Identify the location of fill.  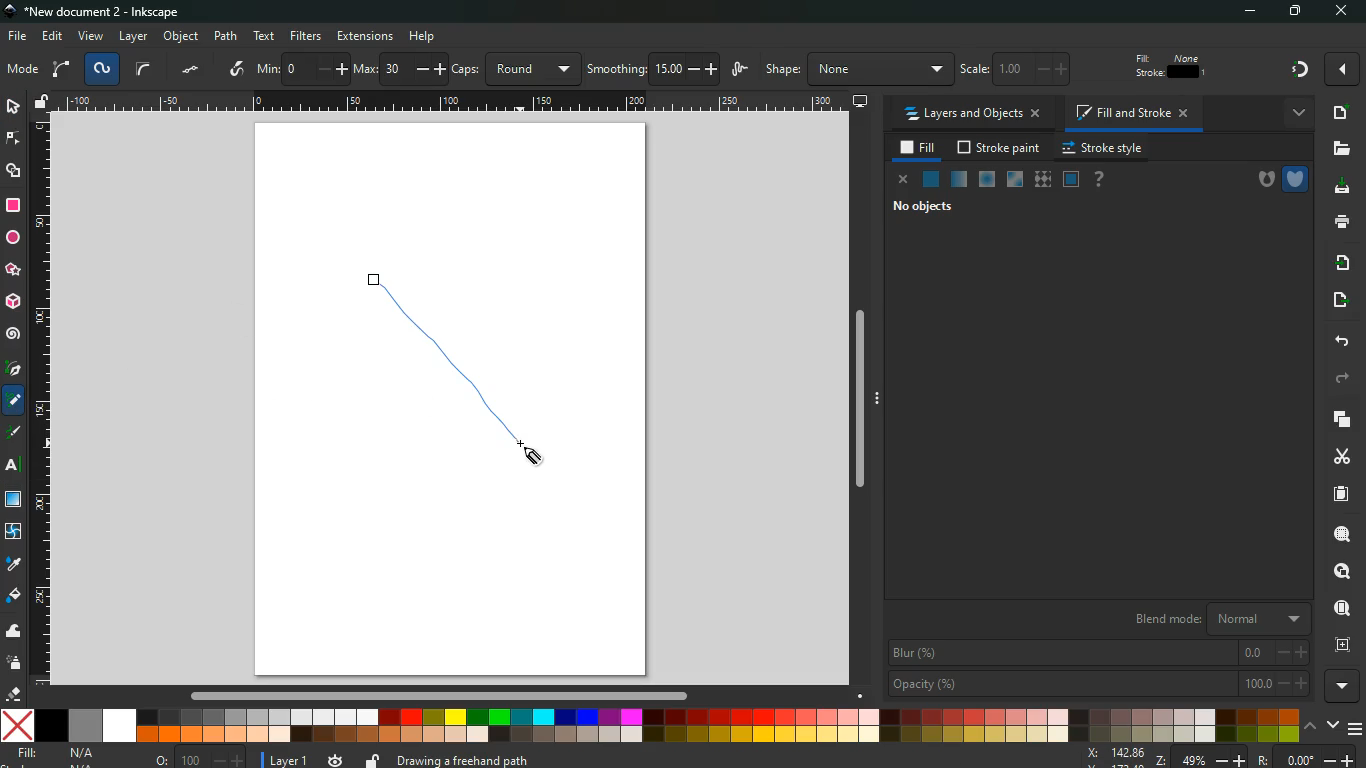
(14, 596).